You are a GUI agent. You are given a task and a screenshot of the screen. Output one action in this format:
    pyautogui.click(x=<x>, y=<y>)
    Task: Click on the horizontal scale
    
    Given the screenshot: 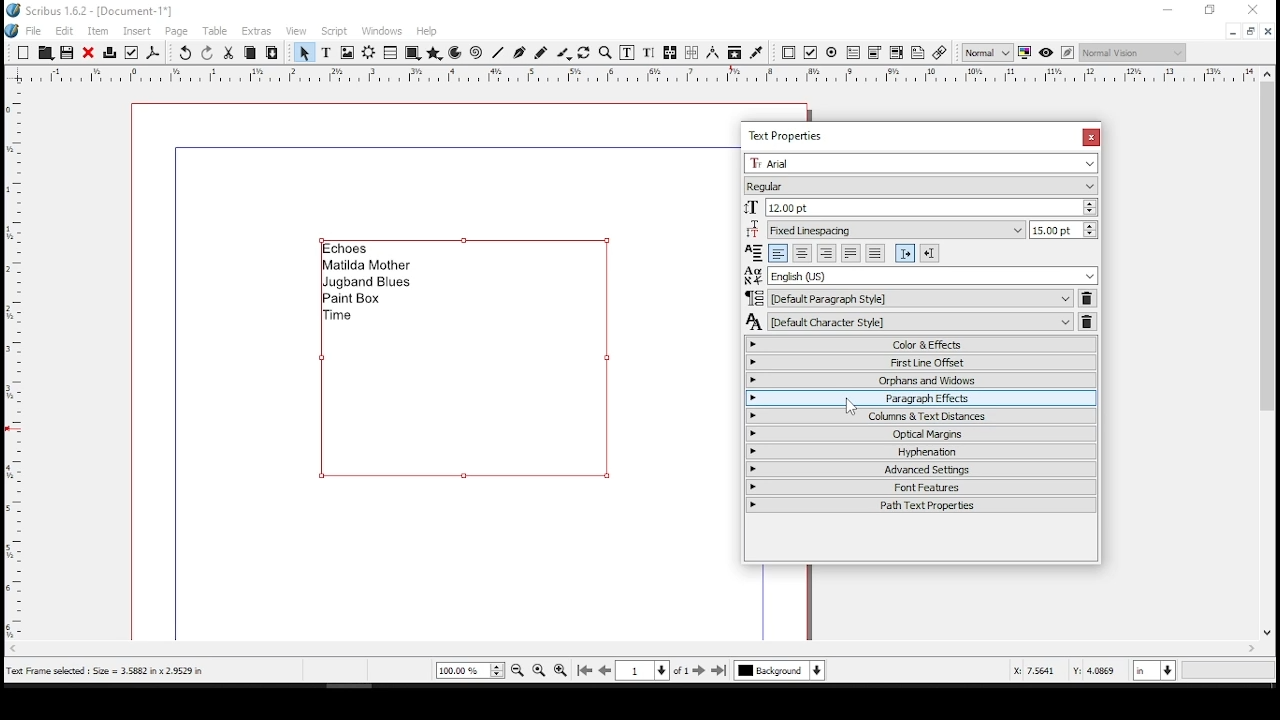 What is the action you would take?
    pyautogui.click(x=650, y=73)
    